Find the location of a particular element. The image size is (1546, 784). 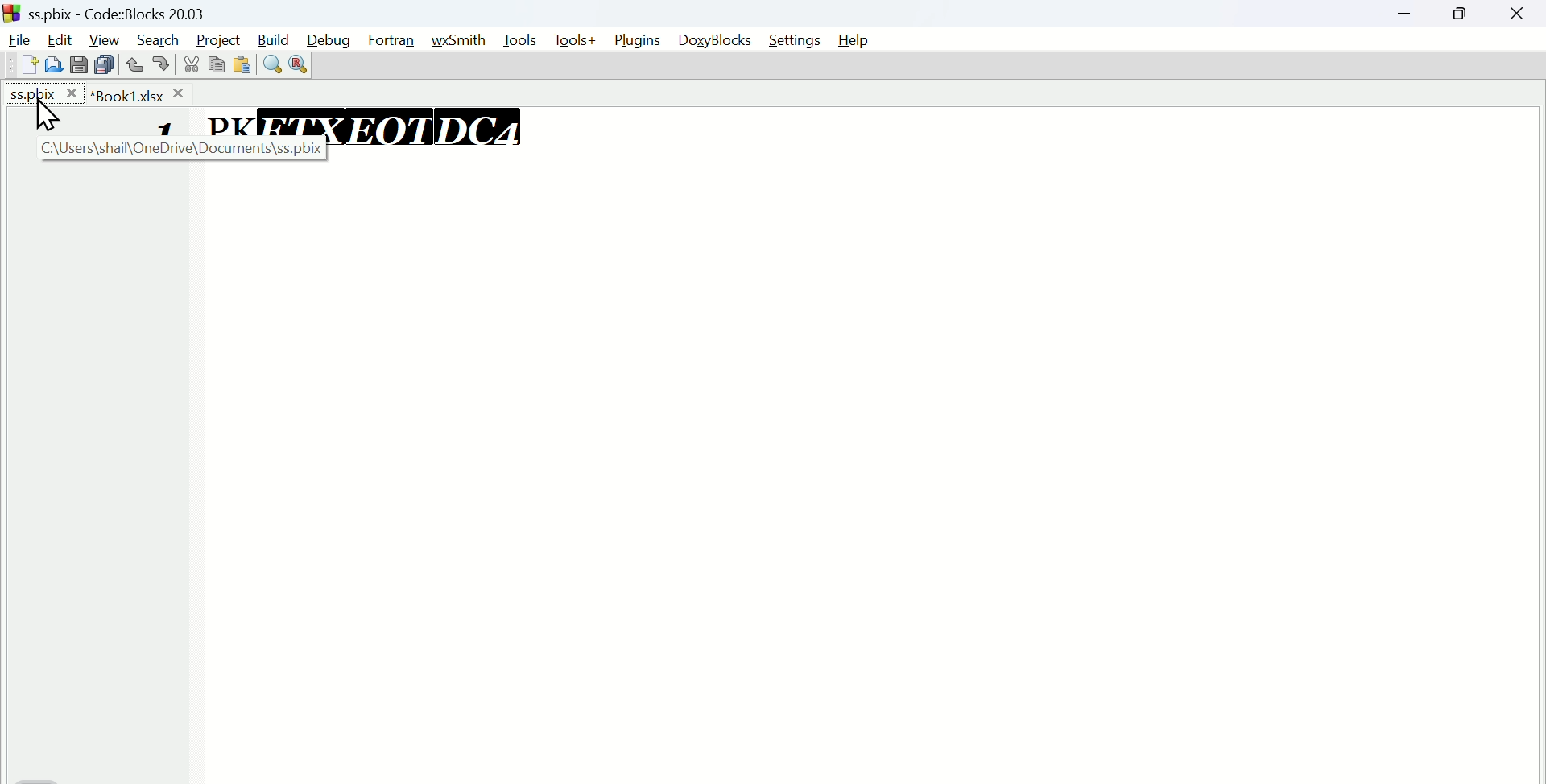

help is located at coordinates (853, 41).